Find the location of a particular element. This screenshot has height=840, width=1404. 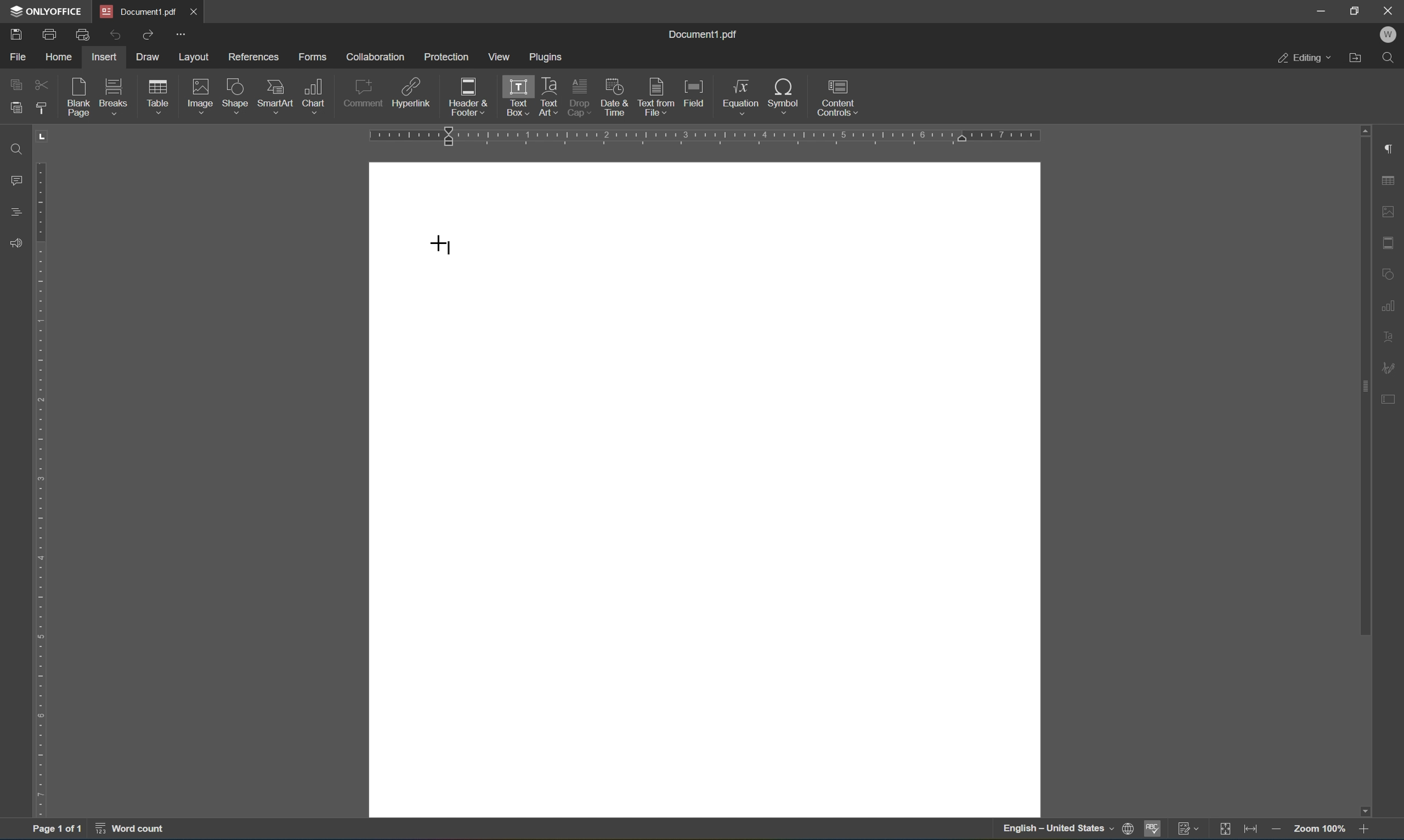

word count is located at coordinates (131, 829).